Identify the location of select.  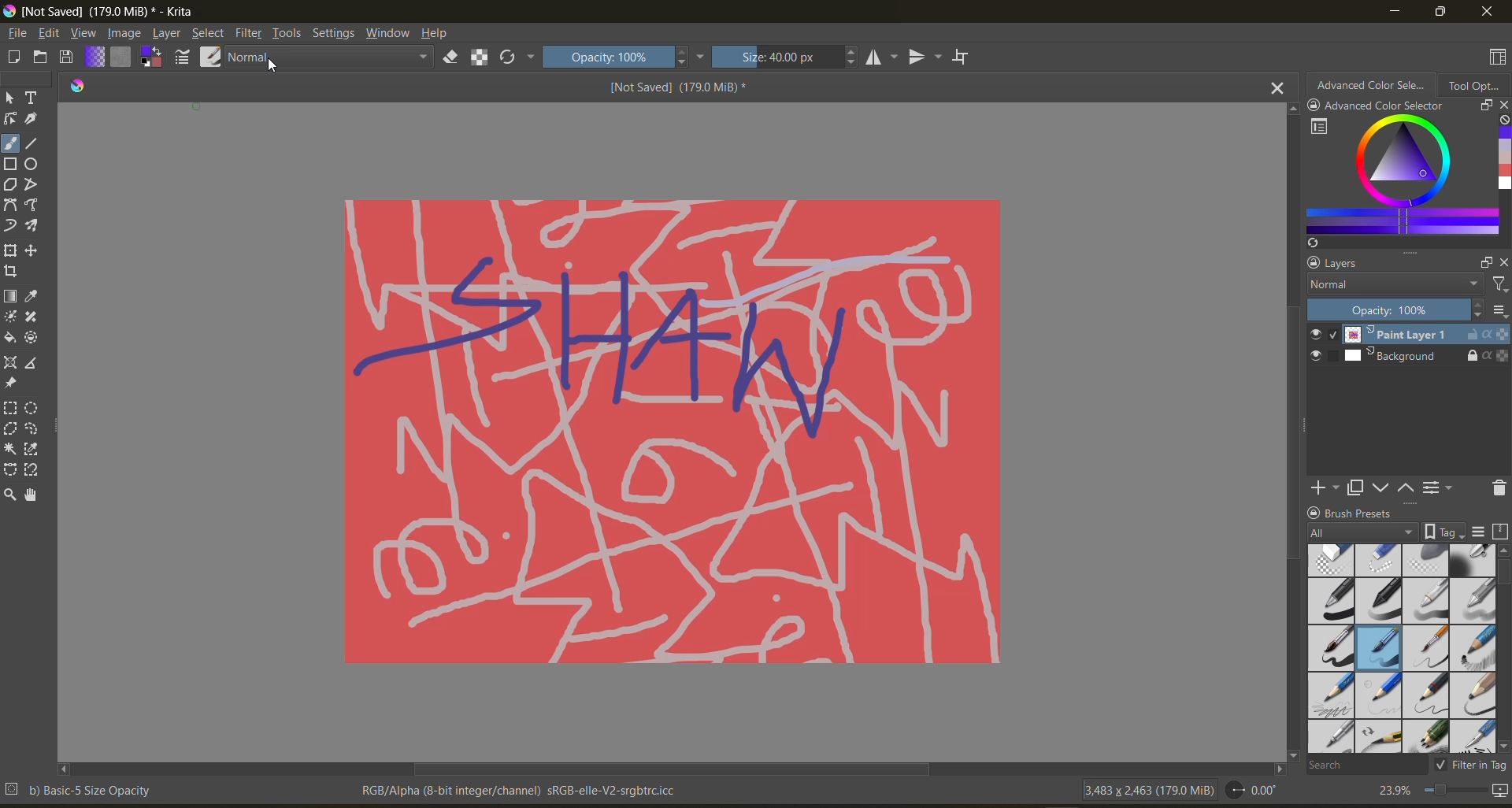
(208, 33).